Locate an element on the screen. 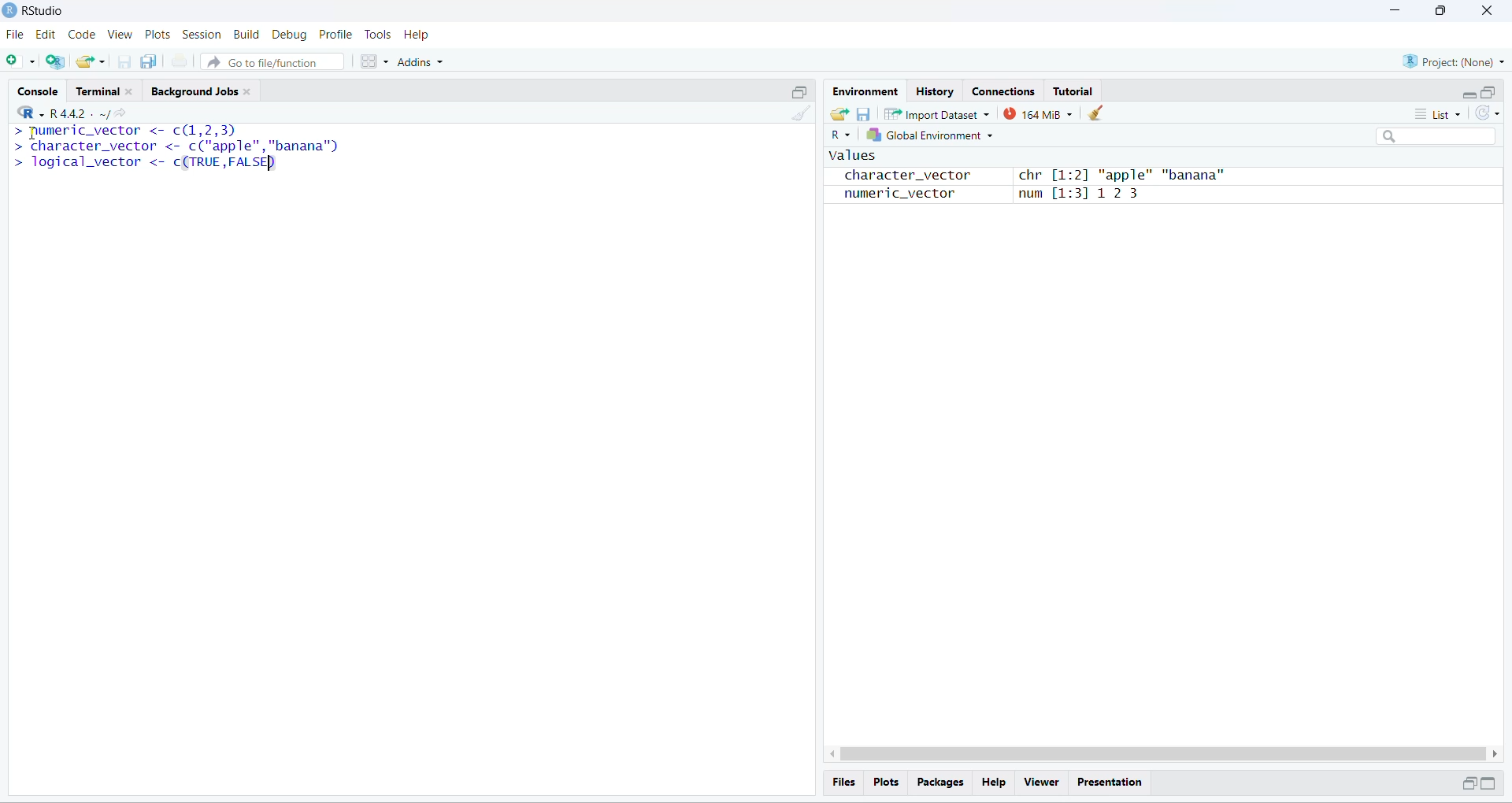 The height and width of the screenshot is (803, 1512). Plots is located at coordinates (884, 781).